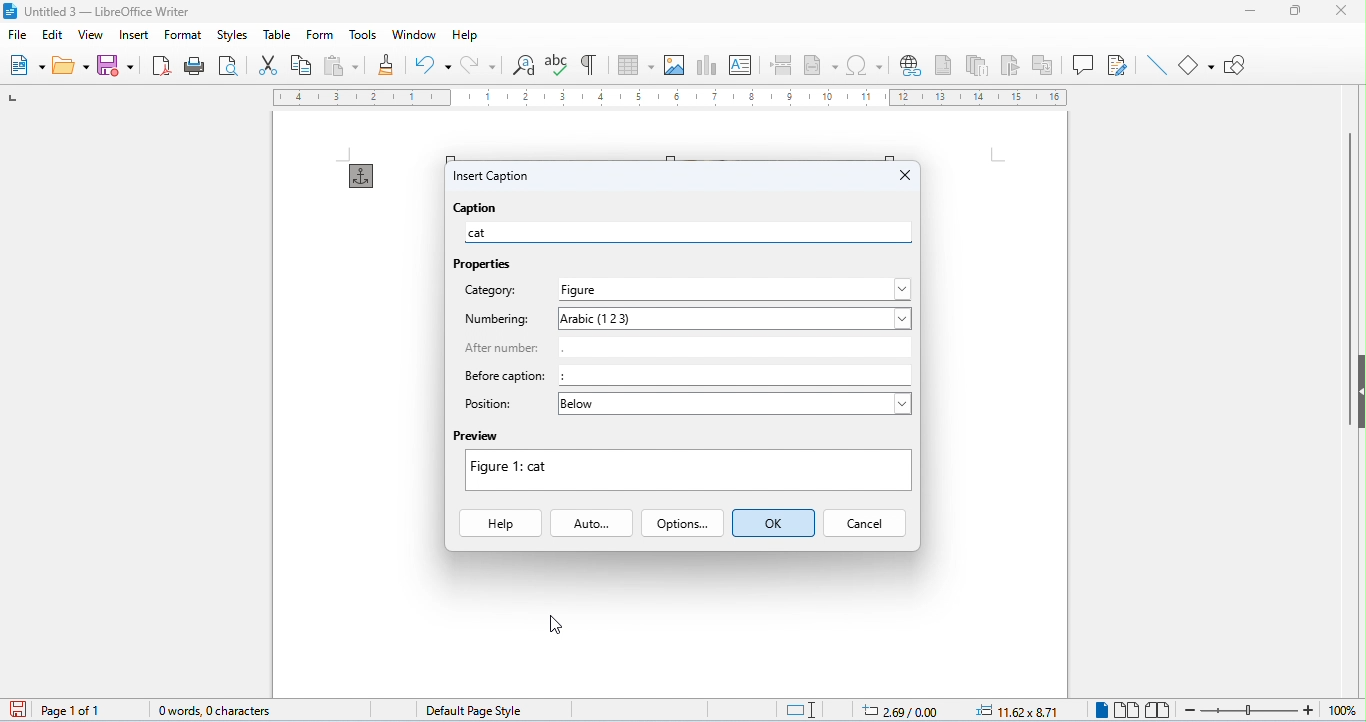 Image resolution: width=1366 pixels, height=722 pixels. I want to click on paste, so click(341, 65).